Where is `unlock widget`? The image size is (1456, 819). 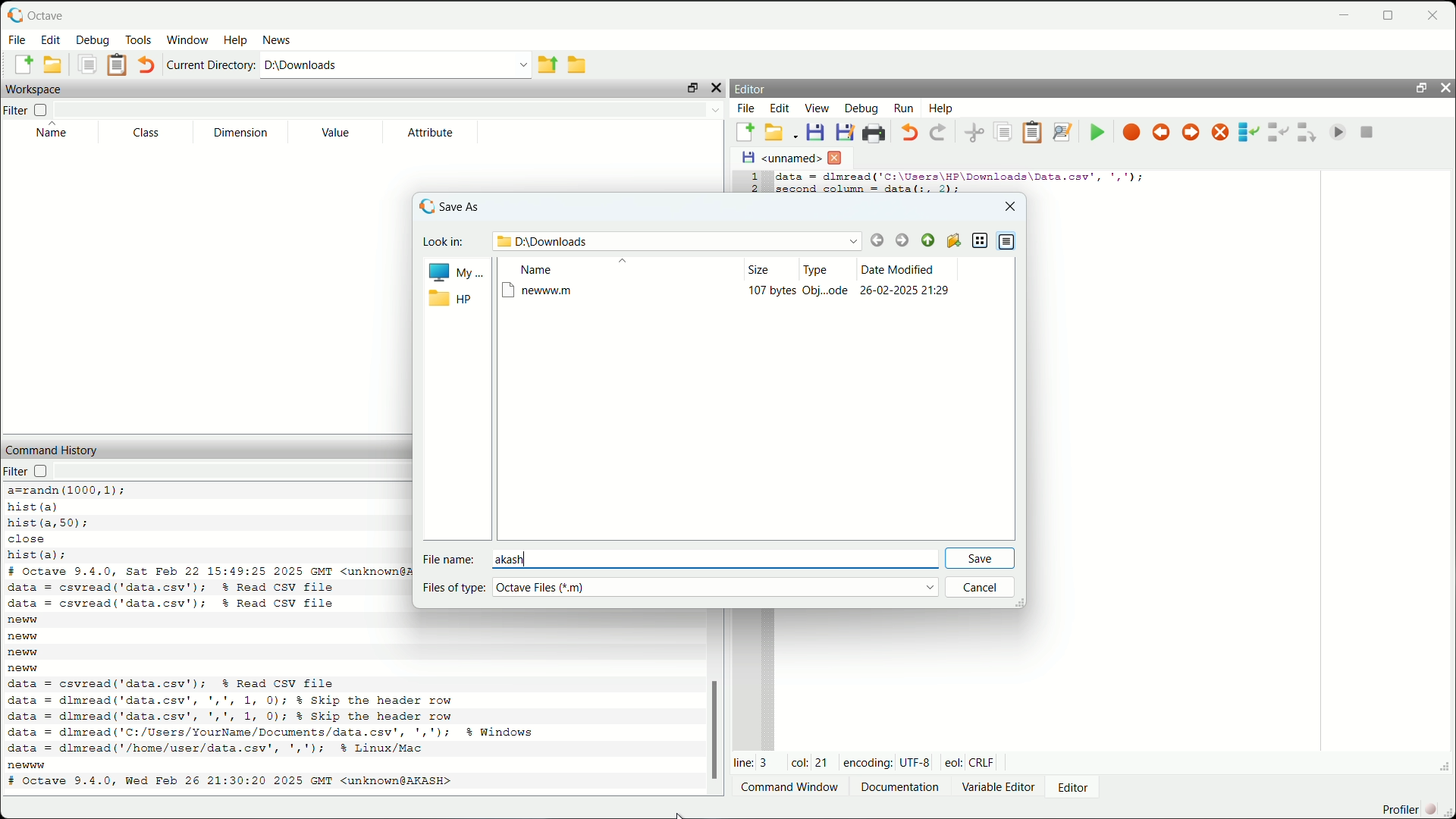
unlock widget is located at coordinates (1419, 86).